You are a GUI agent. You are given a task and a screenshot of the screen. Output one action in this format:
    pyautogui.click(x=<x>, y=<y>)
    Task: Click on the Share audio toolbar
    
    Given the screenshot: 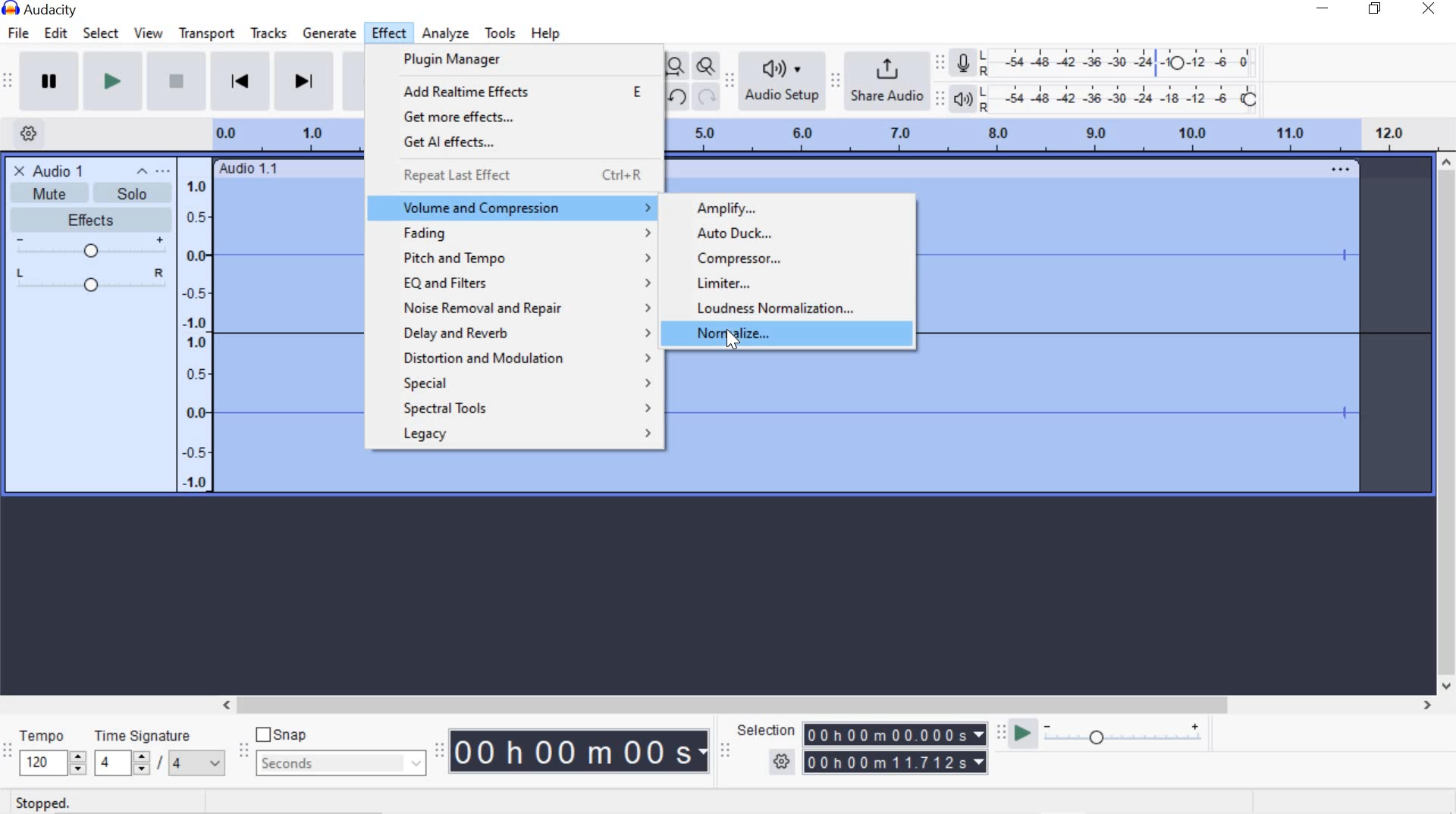 What is the action you would take?
    pyautogui.click(x=834, y=80)
    